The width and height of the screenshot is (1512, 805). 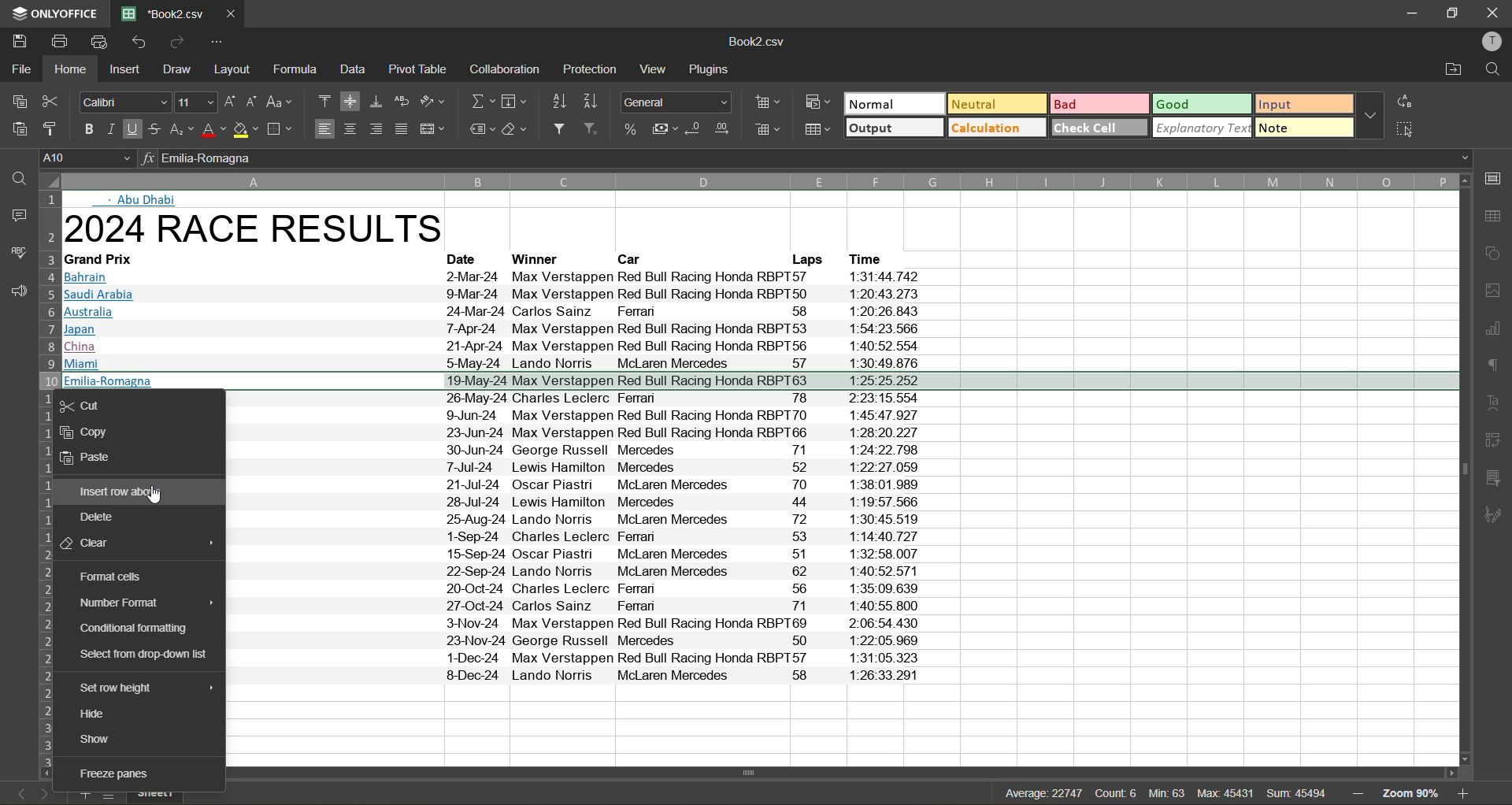 I want to click on add new sheet, so click(x=86, y=793).